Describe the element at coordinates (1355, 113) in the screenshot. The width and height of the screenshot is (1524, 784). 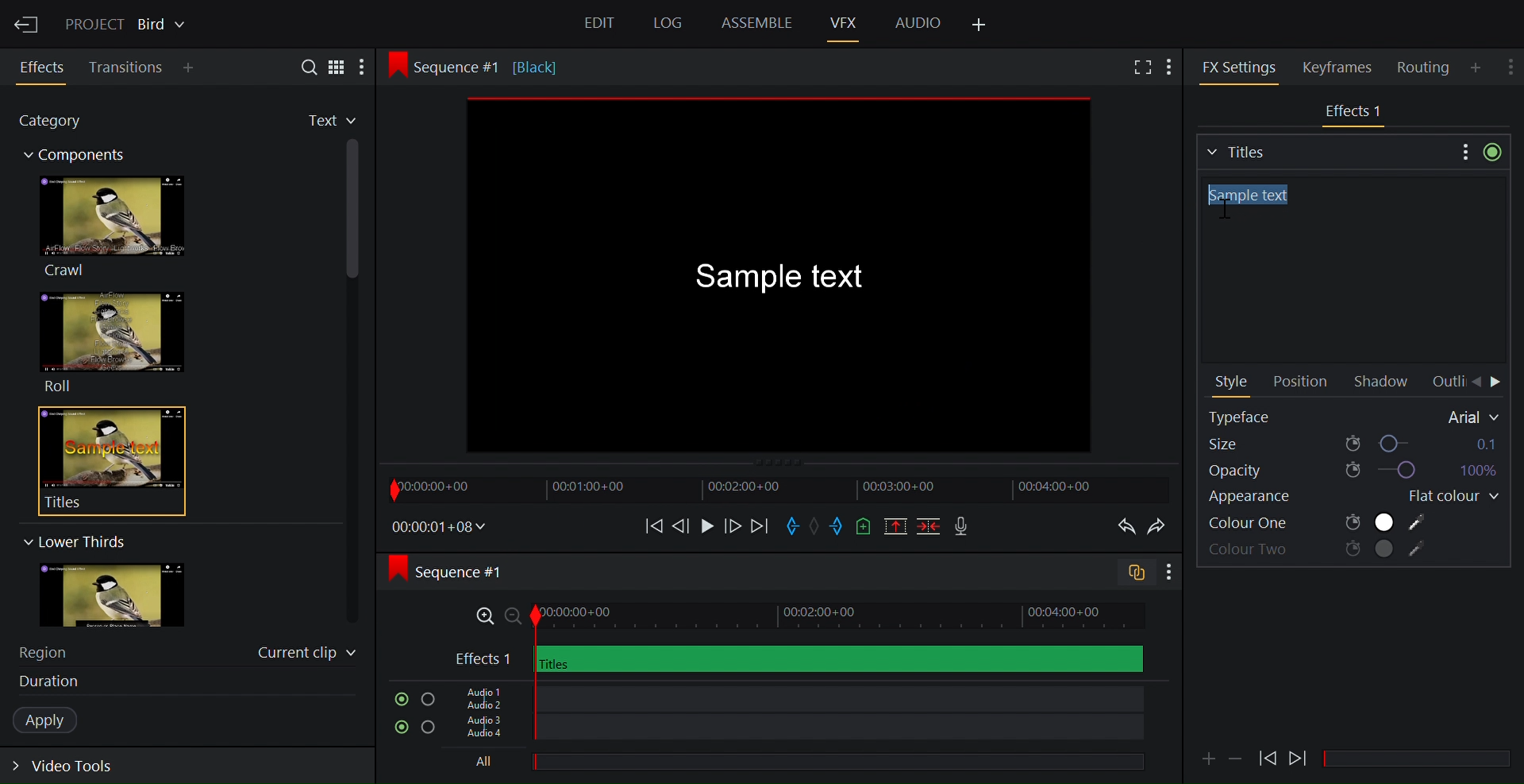
I see `Video Track Effects ` at that location.